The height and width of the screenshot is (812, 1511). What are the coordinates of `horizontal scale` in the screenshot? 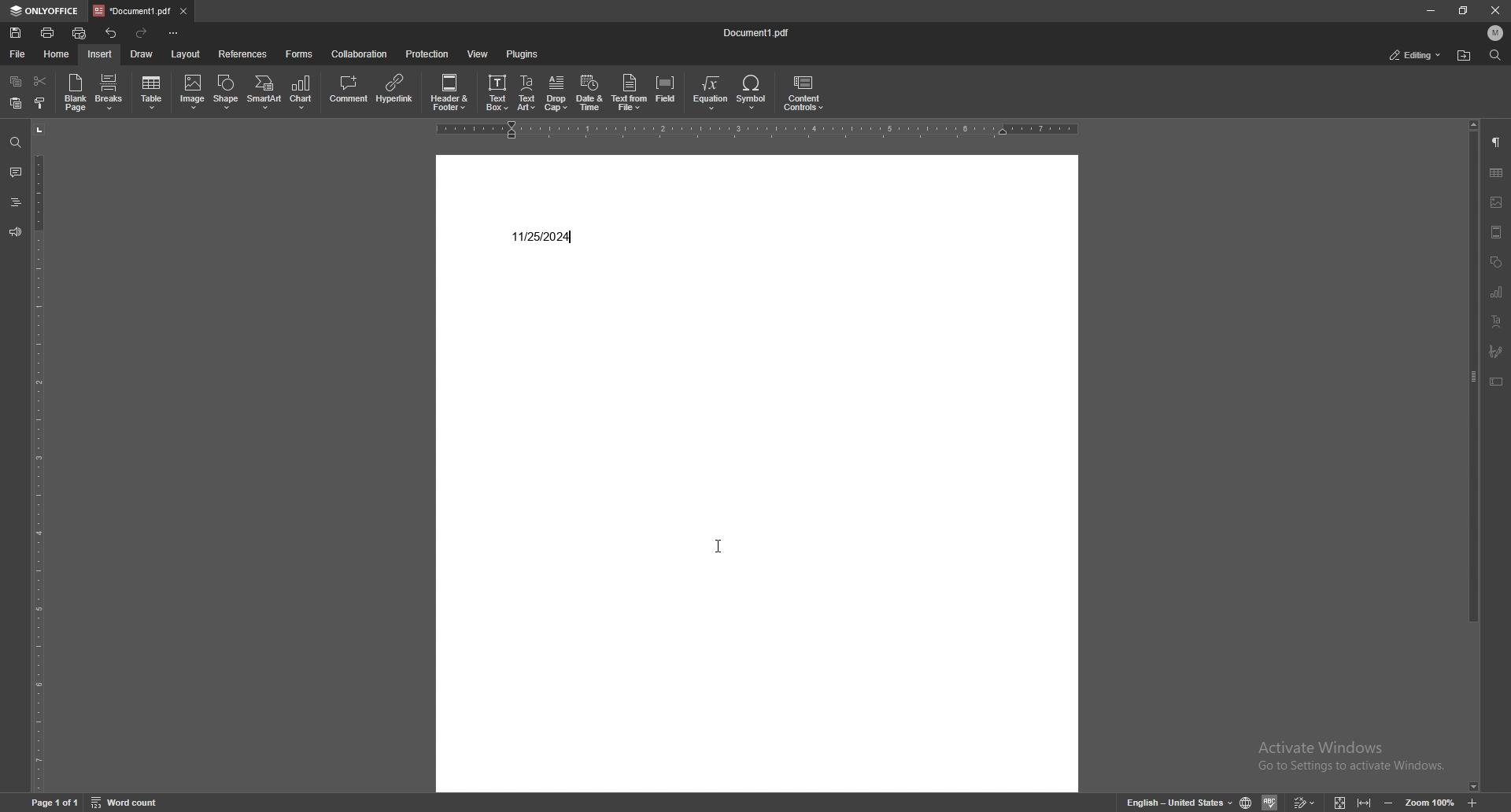 It's located at (758, 134).